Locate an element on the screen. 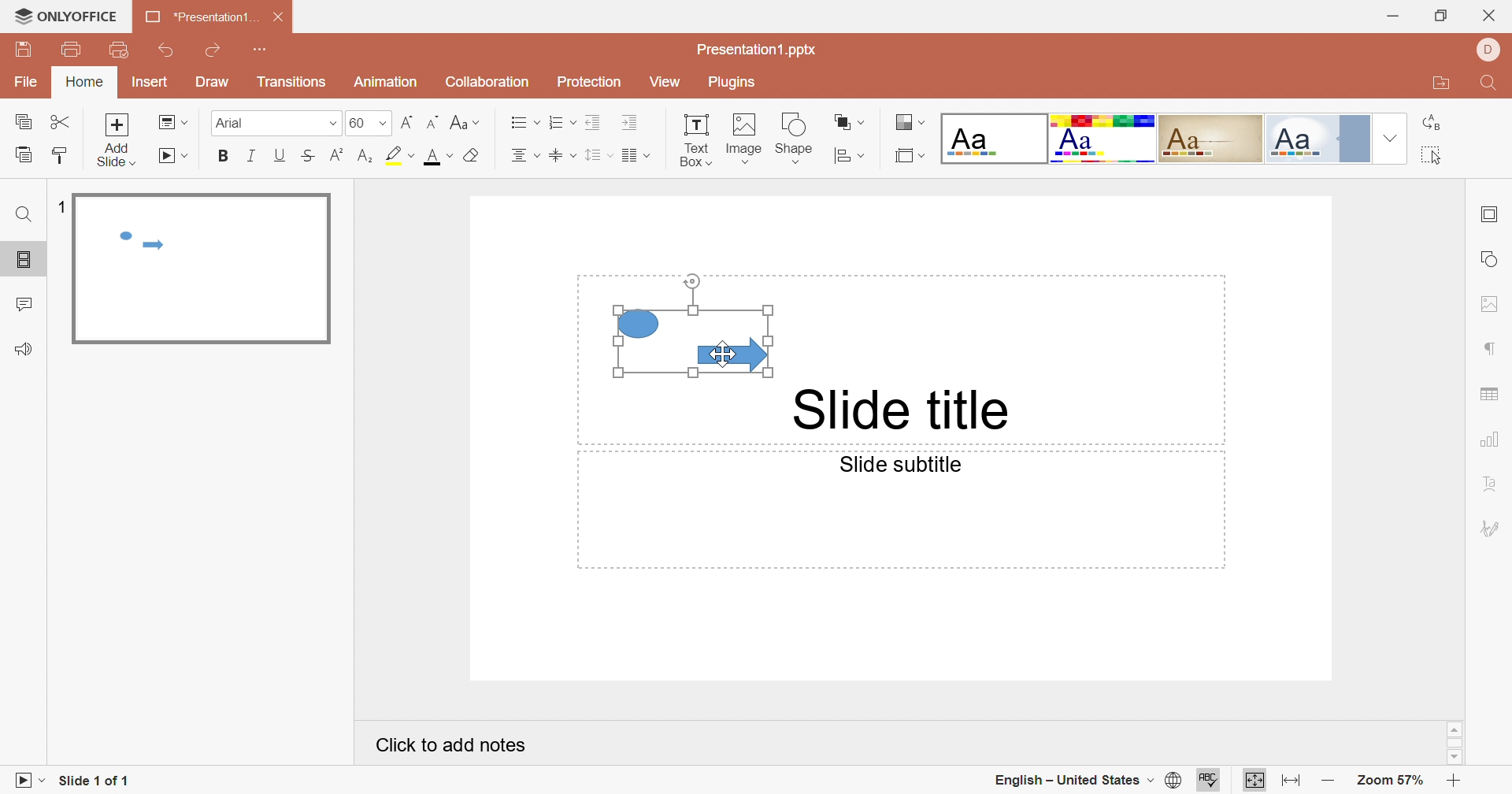 The width and height of the screenshot is (1512, 794). Feedback & Support is located at coordinates (26, 351).